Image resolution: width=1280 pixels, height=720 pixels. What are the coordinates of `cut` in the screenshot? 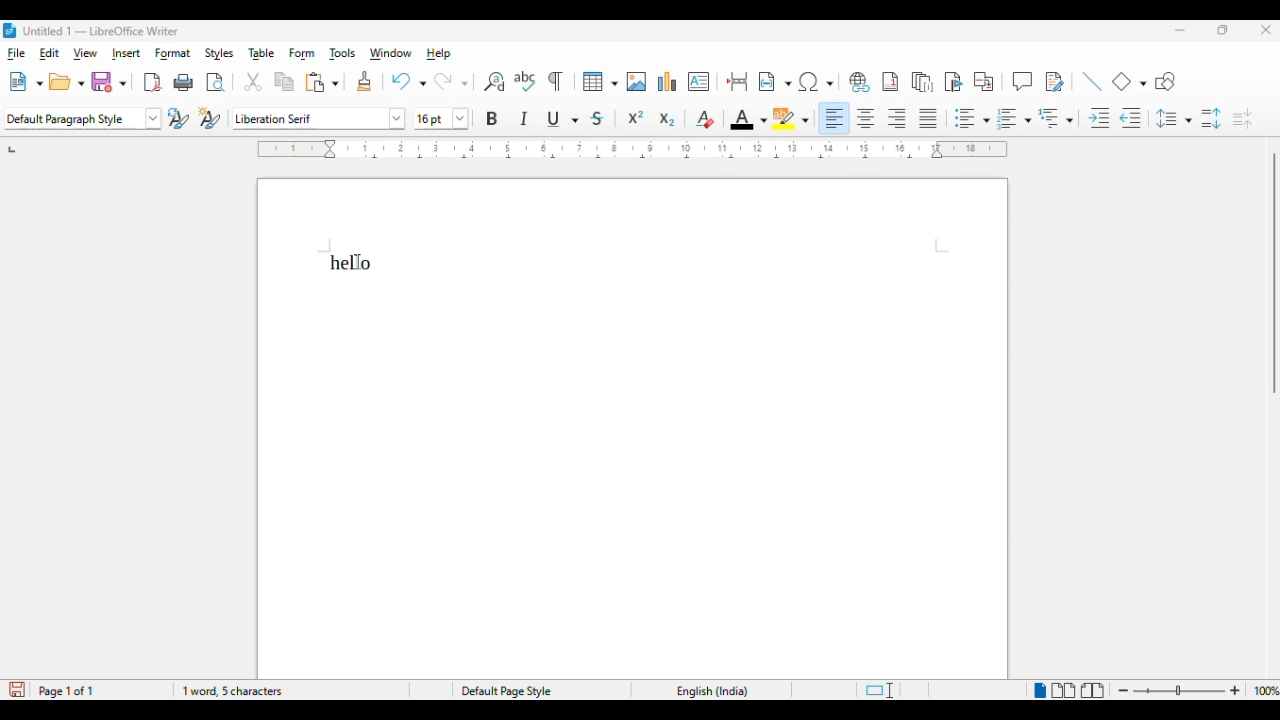 It's located at (253, 82).